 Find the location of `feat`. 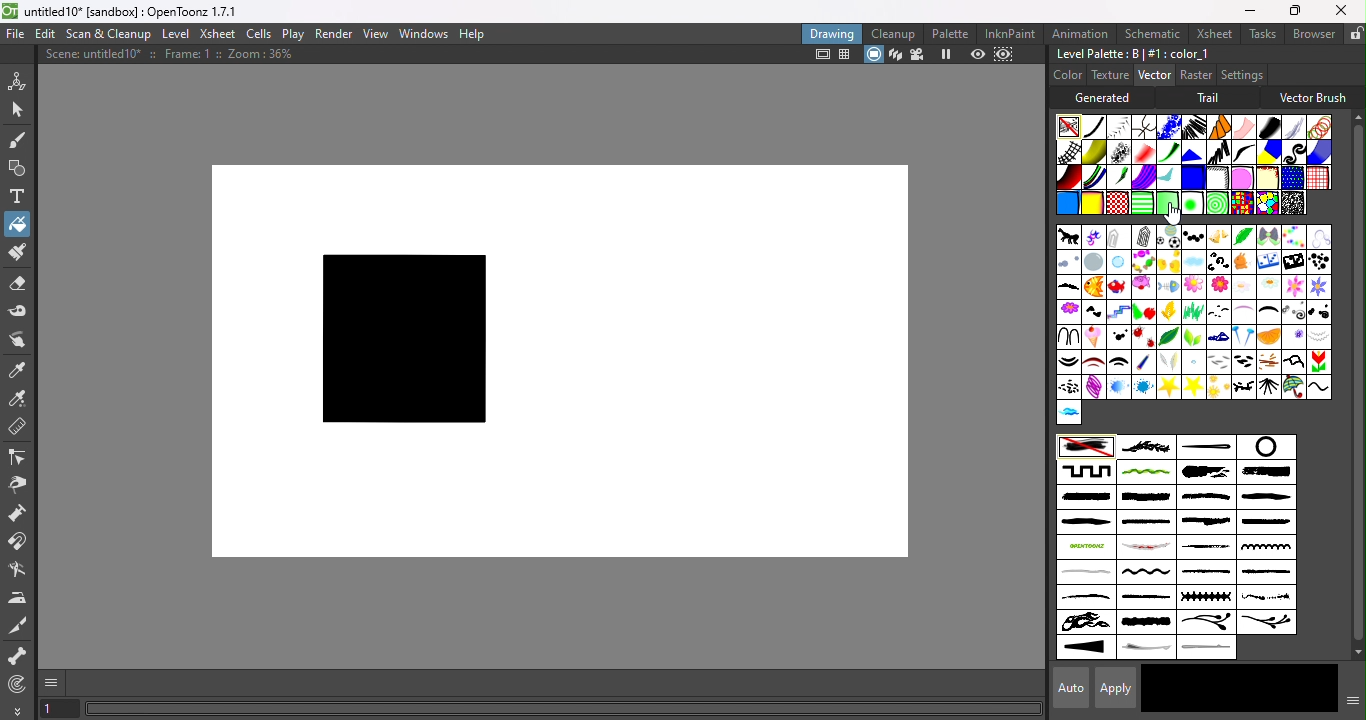

feat is located at coordinates (1068, 288).